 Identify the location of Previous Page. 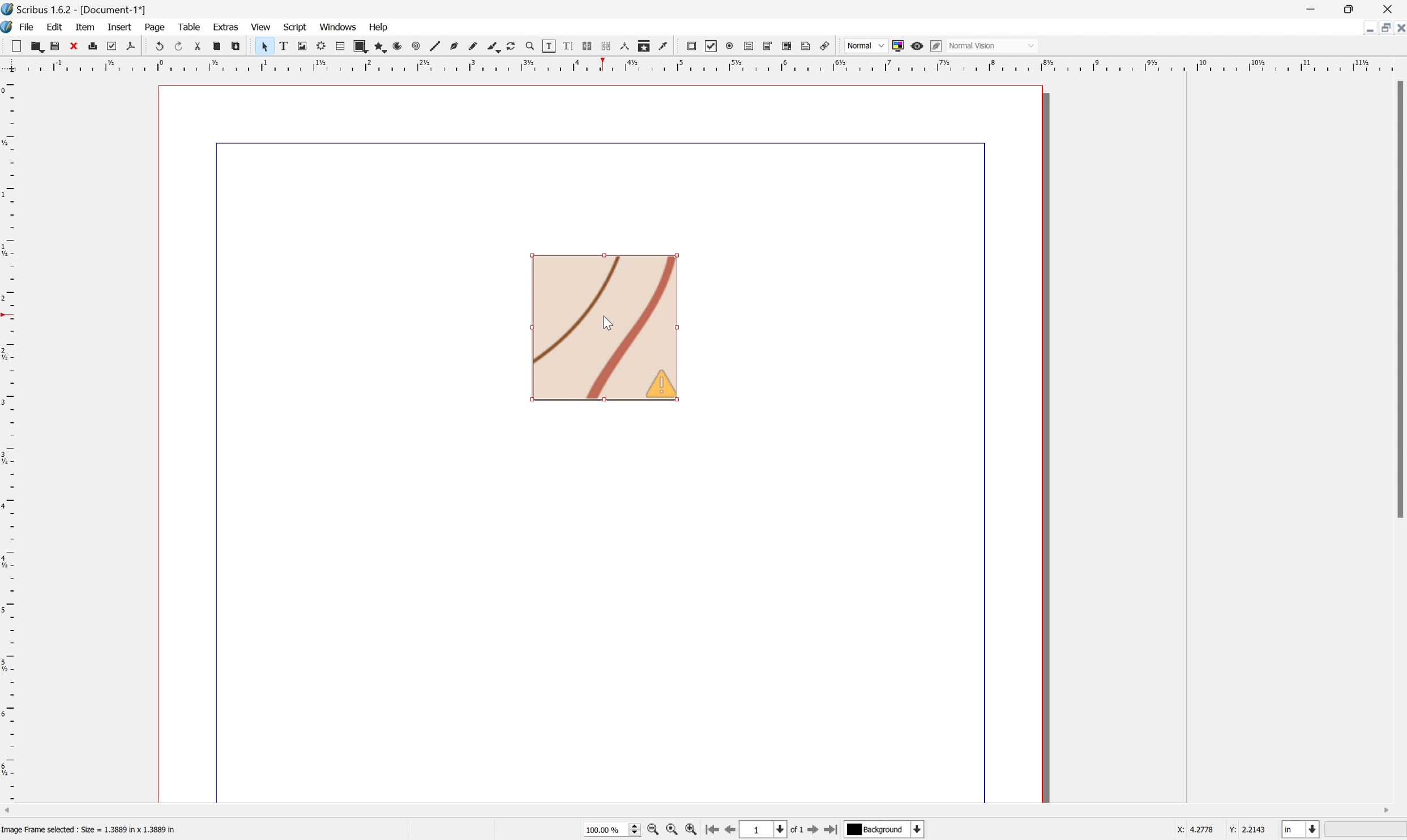
(733, 830).